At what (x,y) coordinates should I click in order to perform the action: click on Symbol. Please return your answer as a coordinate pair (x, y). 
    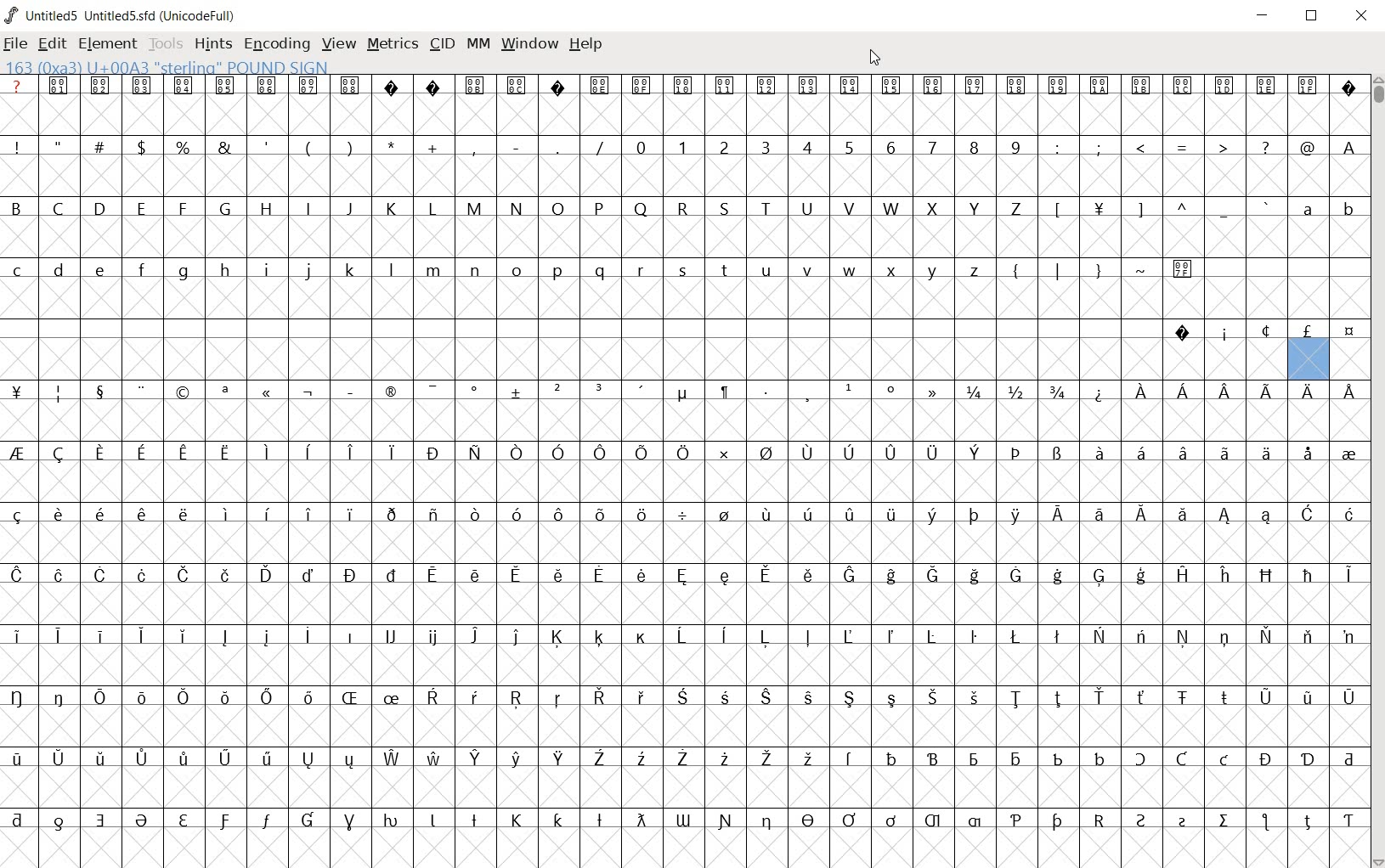
    Looking at the image, I should click on (184, 575).